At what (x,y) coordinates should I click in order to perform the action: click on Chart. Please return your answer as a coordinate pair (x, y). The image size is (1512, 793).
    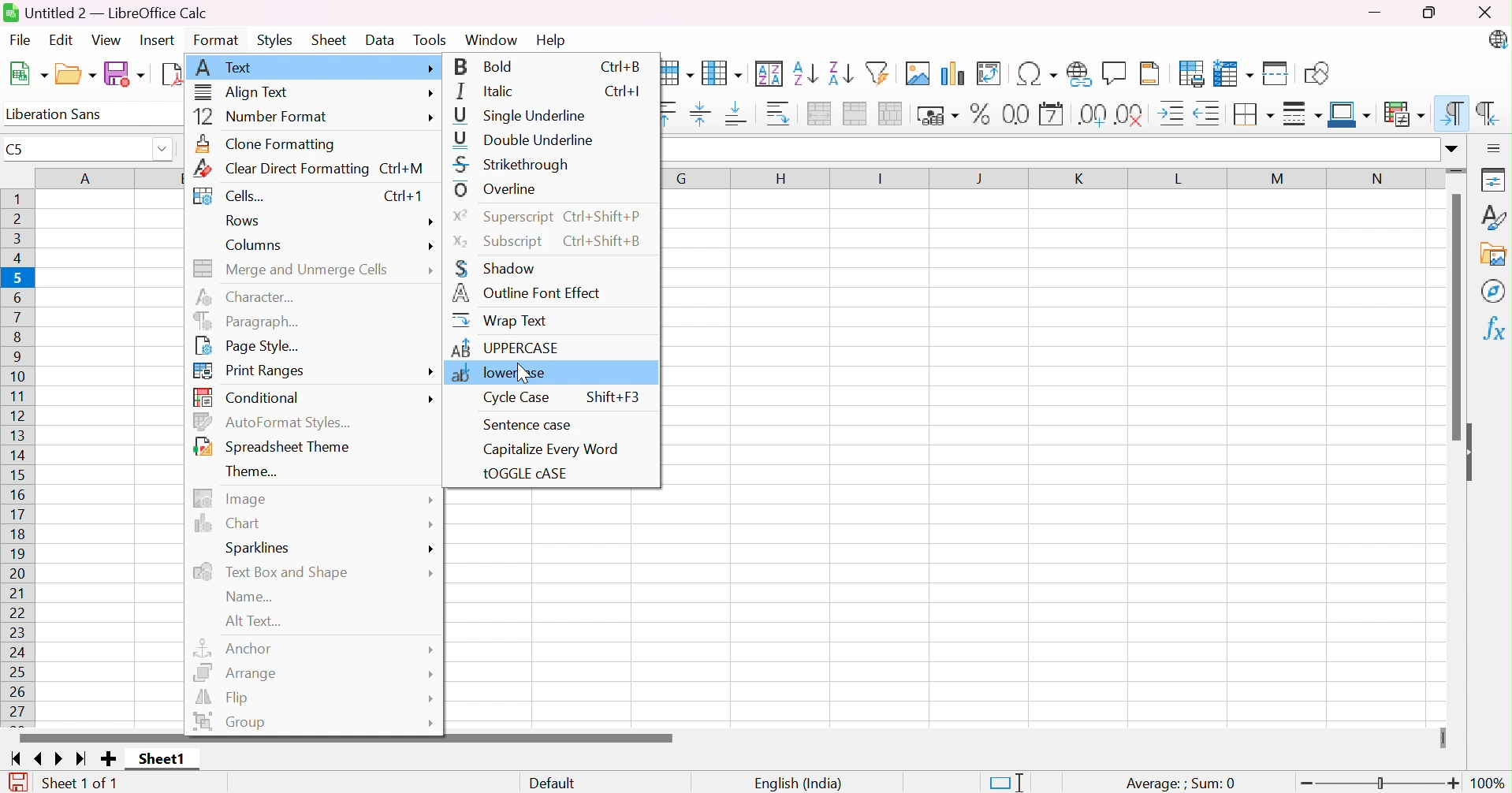
    Looking at the image, I should click on (231, 523).